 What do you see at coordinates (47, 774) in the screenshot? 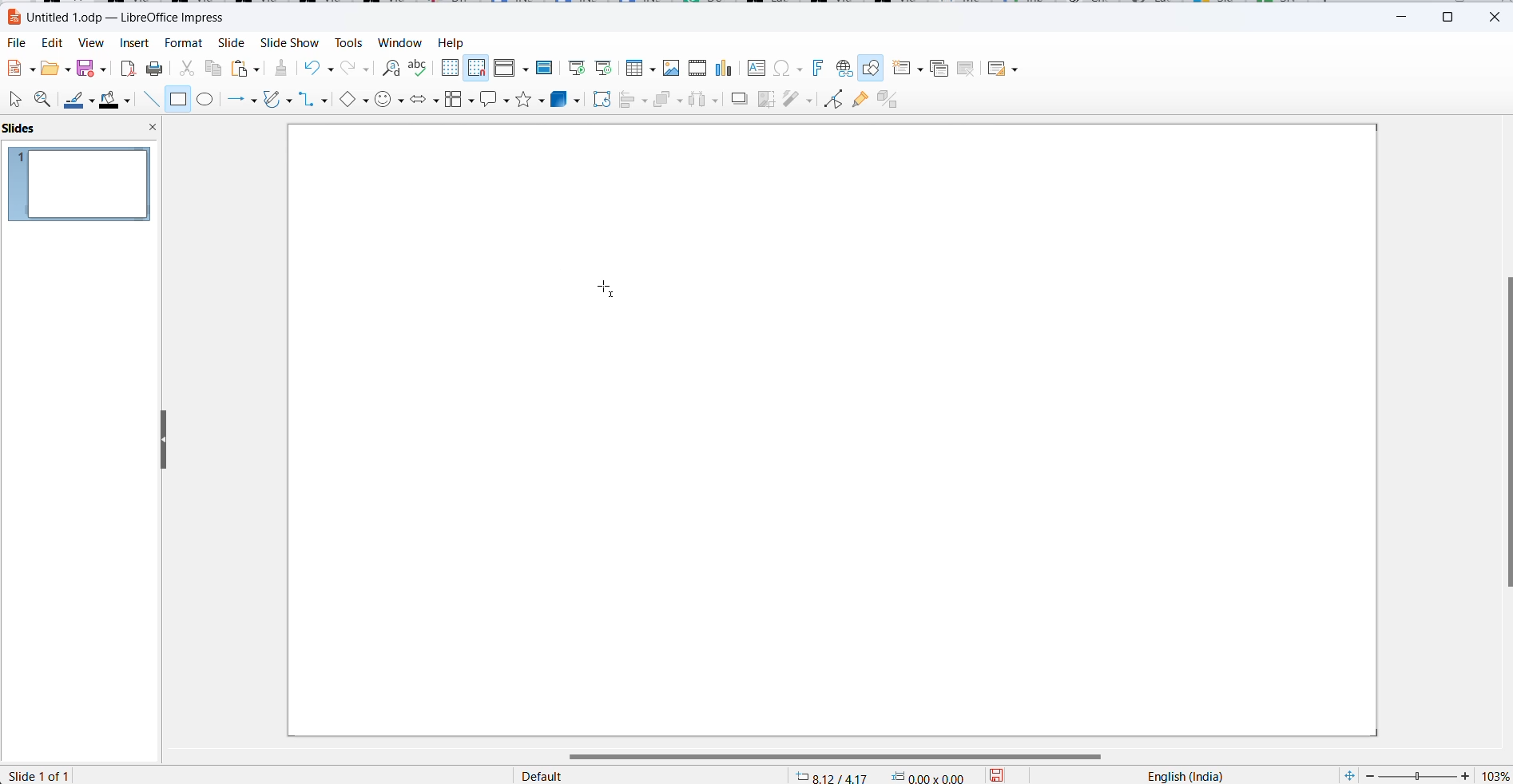
I see `slide number` at bounding box center [47, 774].